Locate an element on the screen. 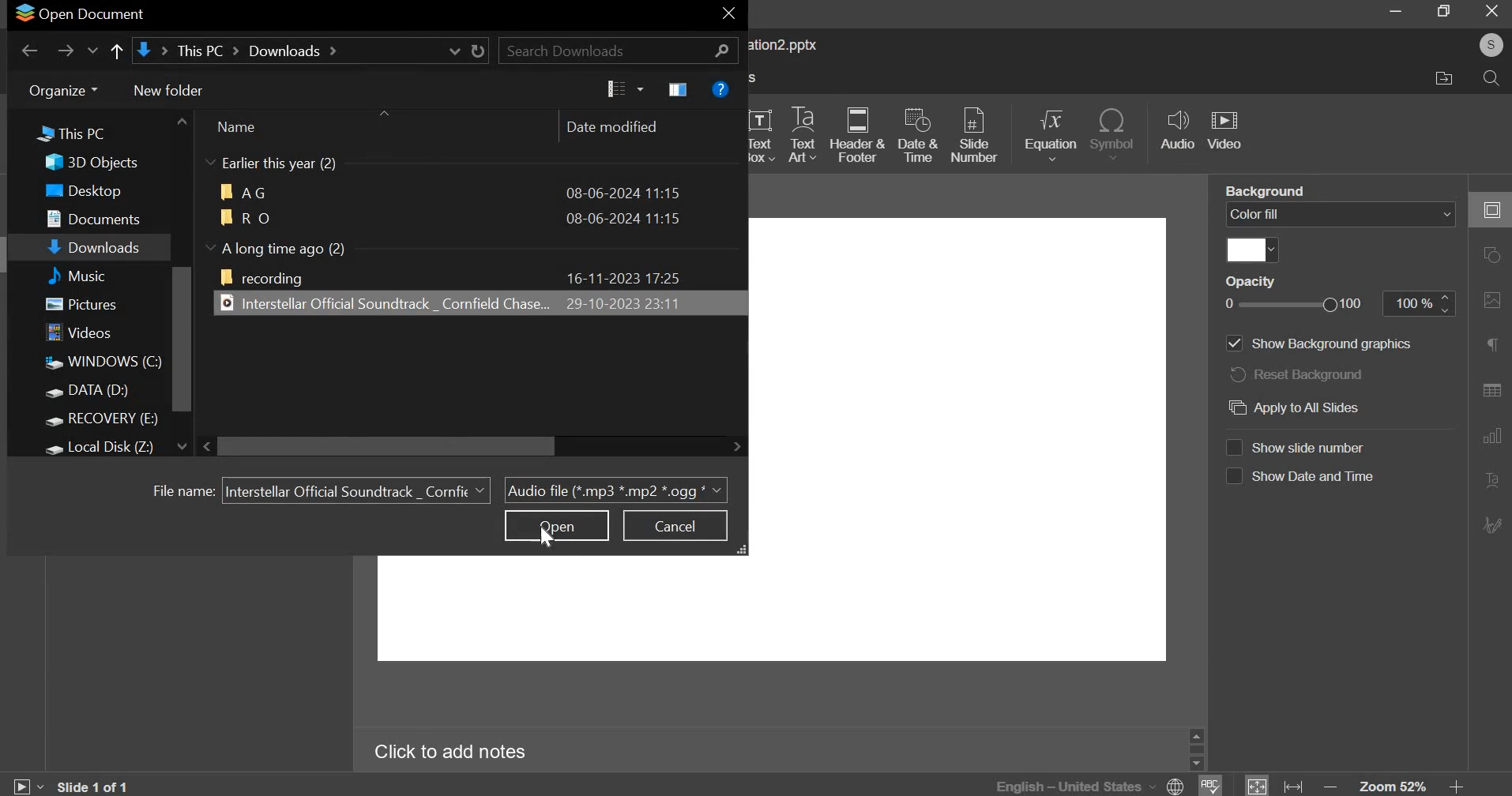  horizontal right is located at coordinates (736, 445).